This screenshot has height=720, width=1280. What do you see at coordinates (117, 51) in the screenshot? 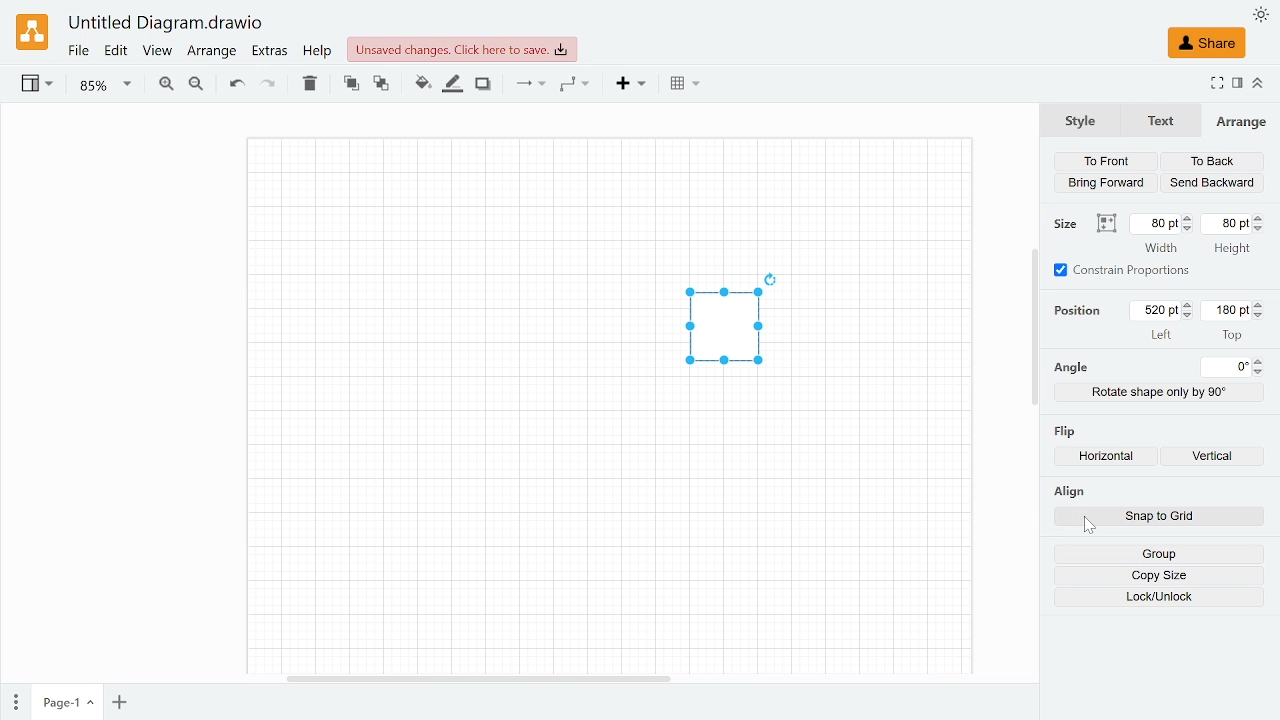
I see `Edit` at bounding box center [117, 51].